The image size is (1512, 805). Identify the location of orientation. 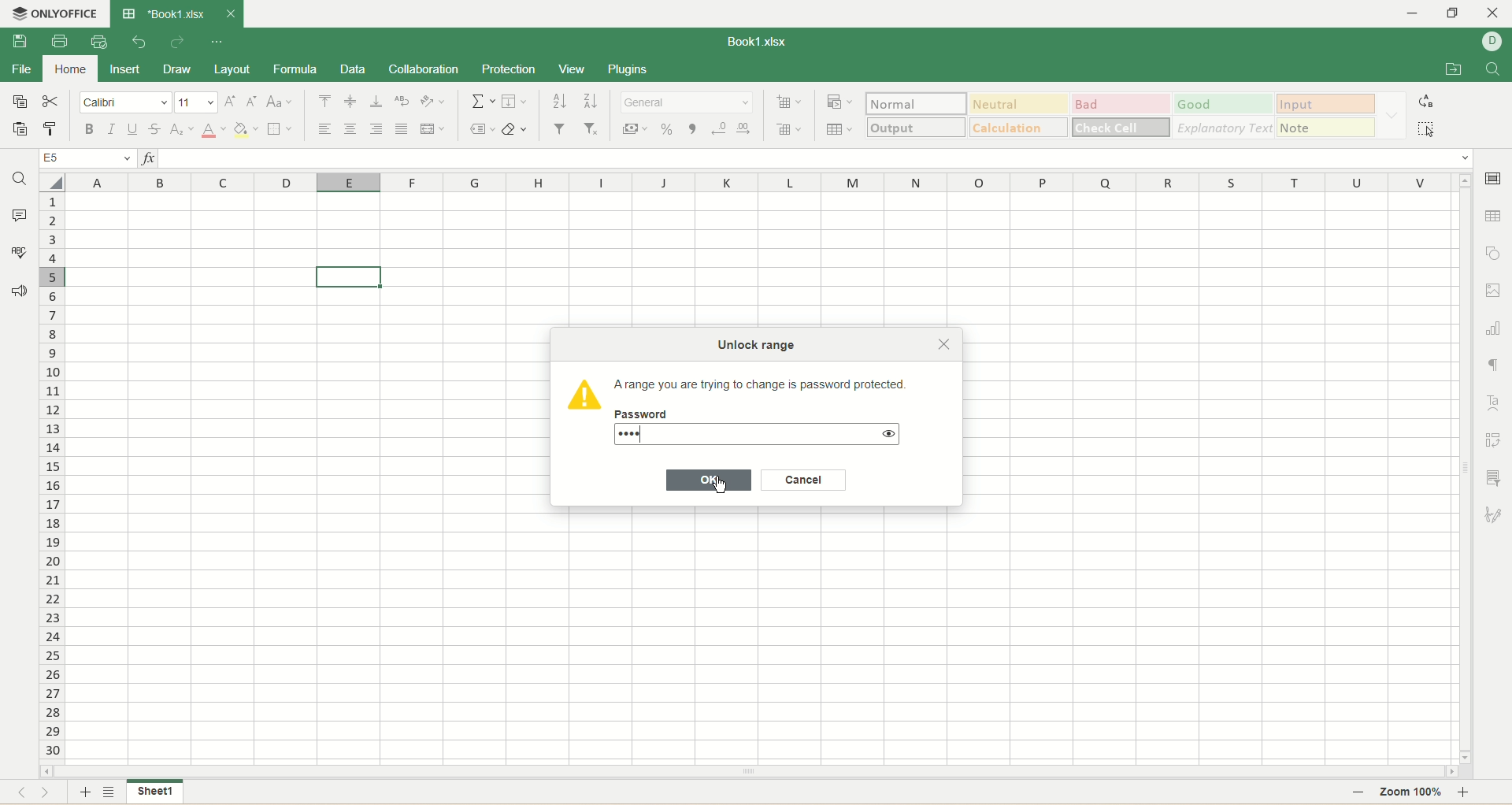
(434, 102).